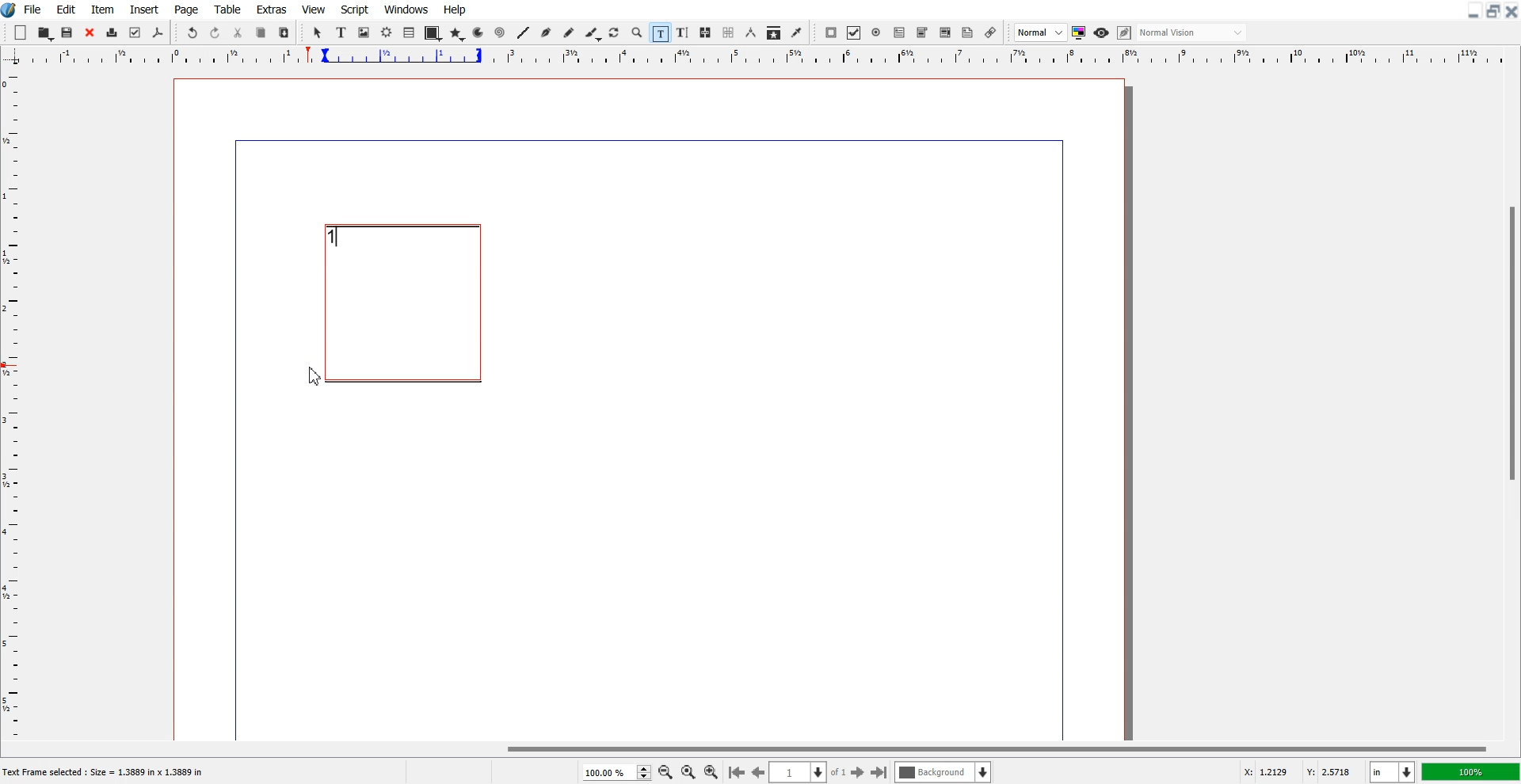  Describe the element at coordinates (523, 32) in the screenshot. I see `Line` at that location.